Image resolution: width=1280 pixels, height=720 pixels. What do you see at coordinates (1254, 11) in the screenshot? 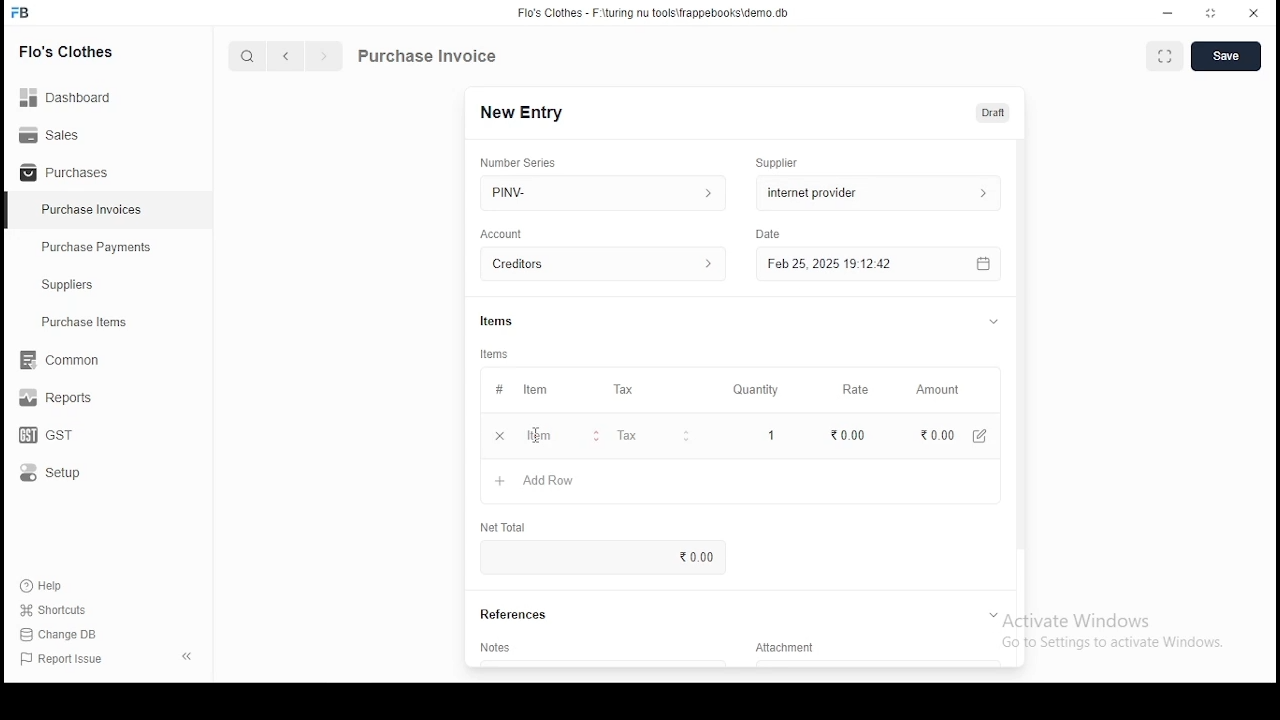
I see `close window` at bounding box center [1254, 11].